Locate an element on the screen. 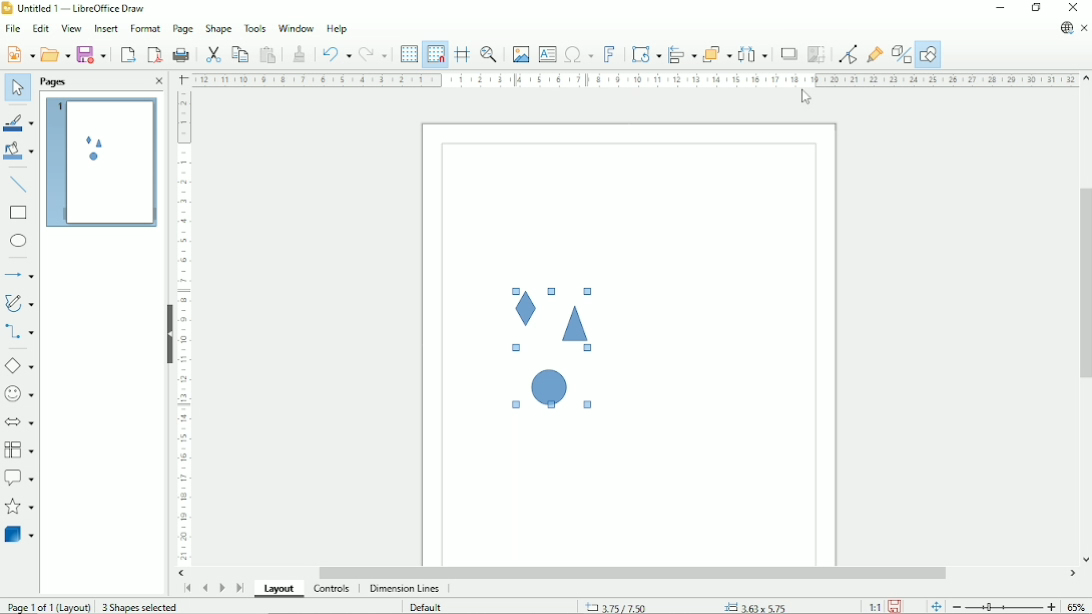 This screenshot has height=614, width=1092. Helplines while moving is located at coordinates (461, 54).